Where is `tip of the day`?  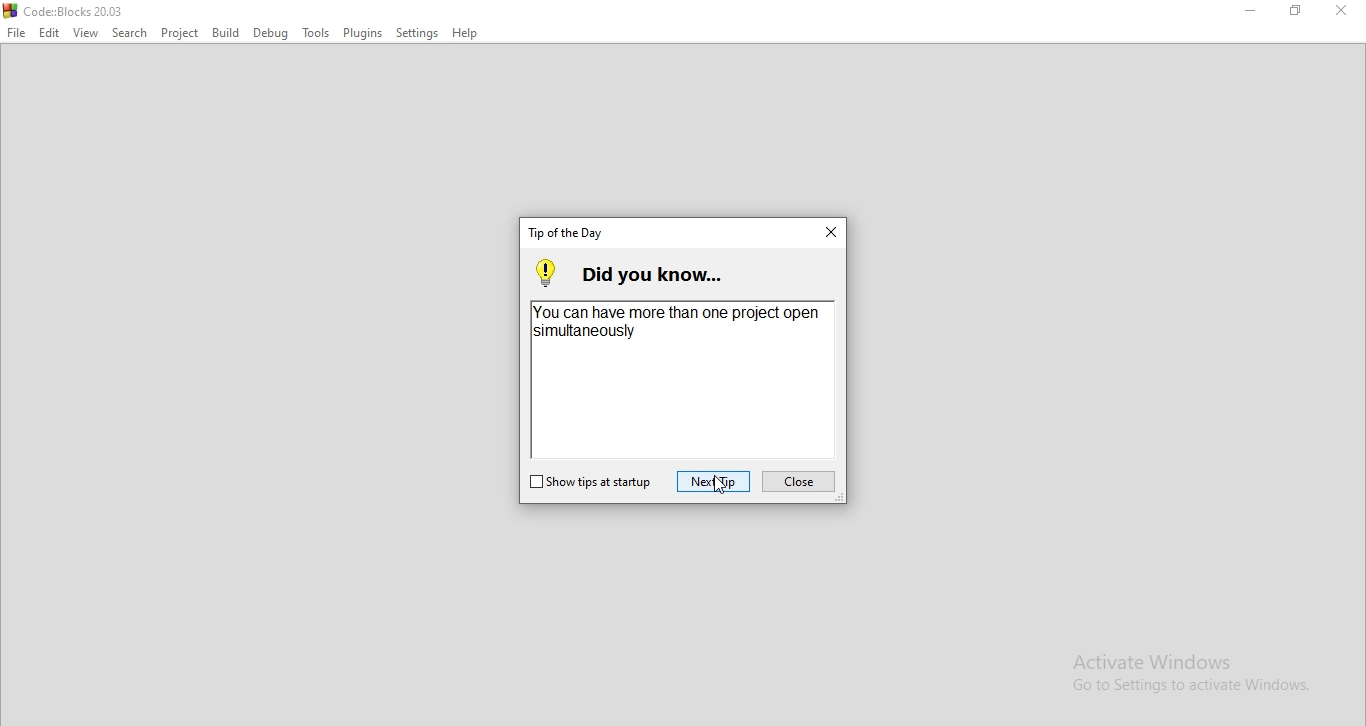
tip of the day is located at coordinates (565, 233).